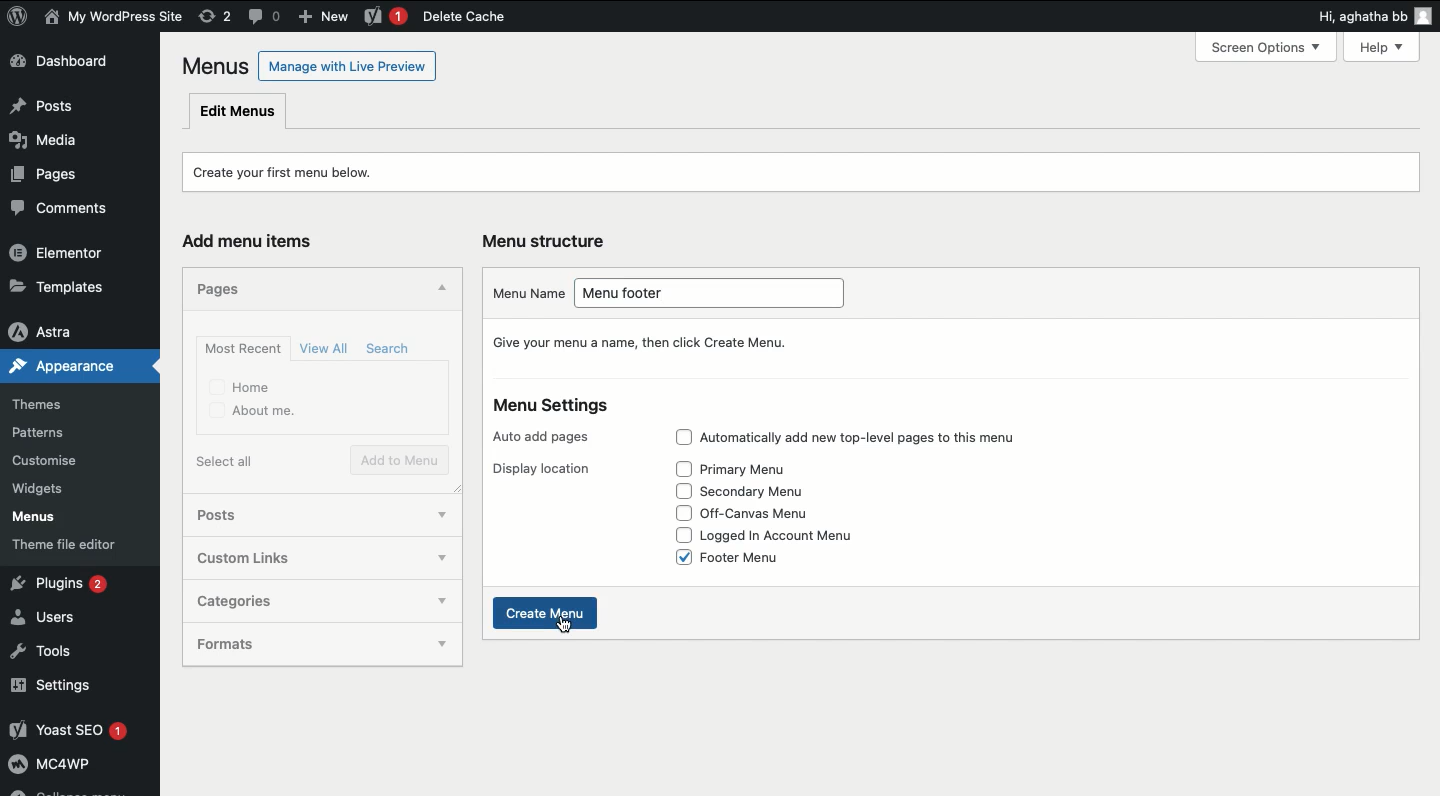 The height and width of the screenshot is (796, 1440). I want to click on Custom links, so click(286, 556).